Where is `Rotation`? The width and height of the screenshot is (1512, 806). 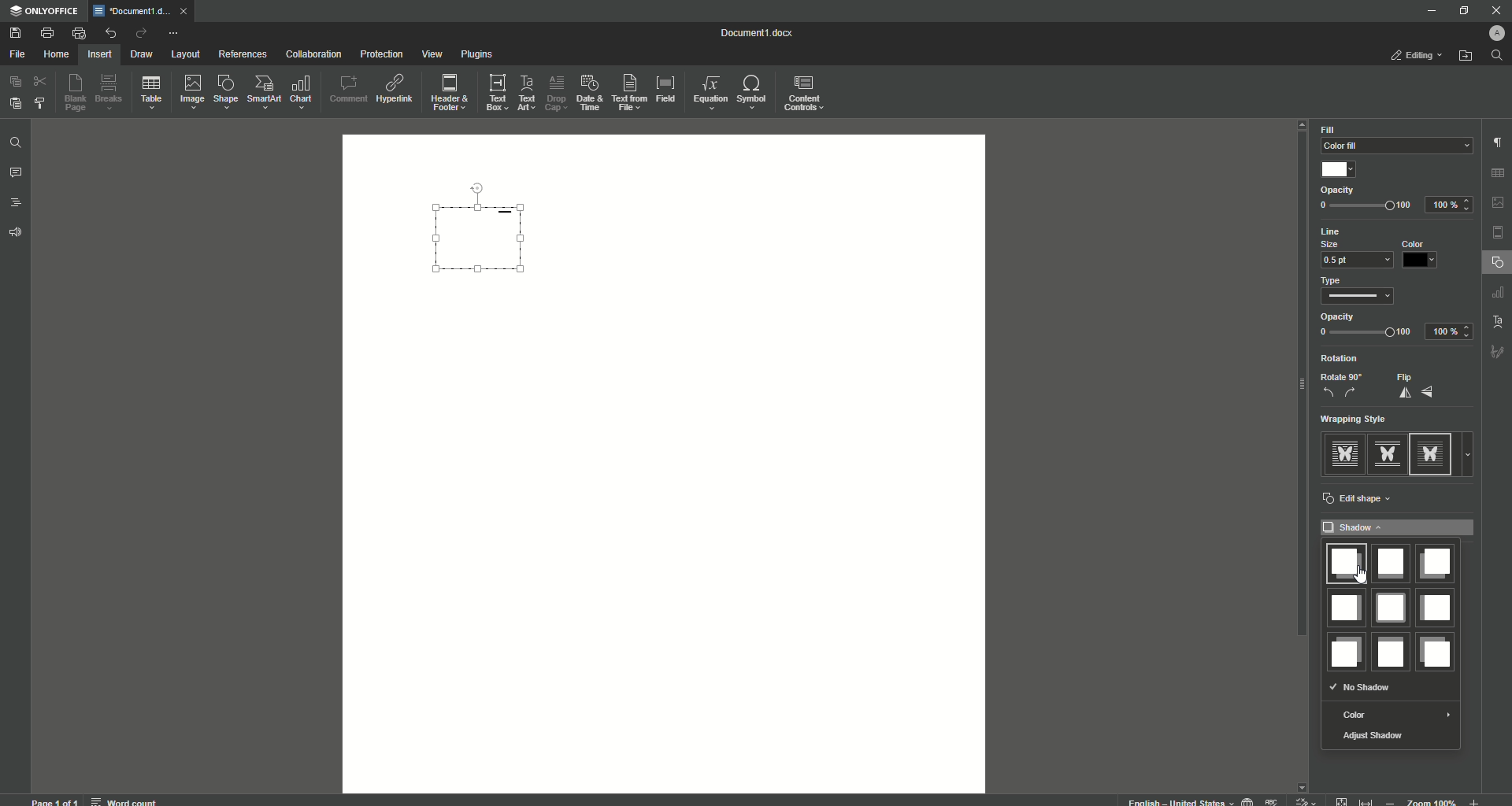
Rotation is located at coordinates (1342, 359).